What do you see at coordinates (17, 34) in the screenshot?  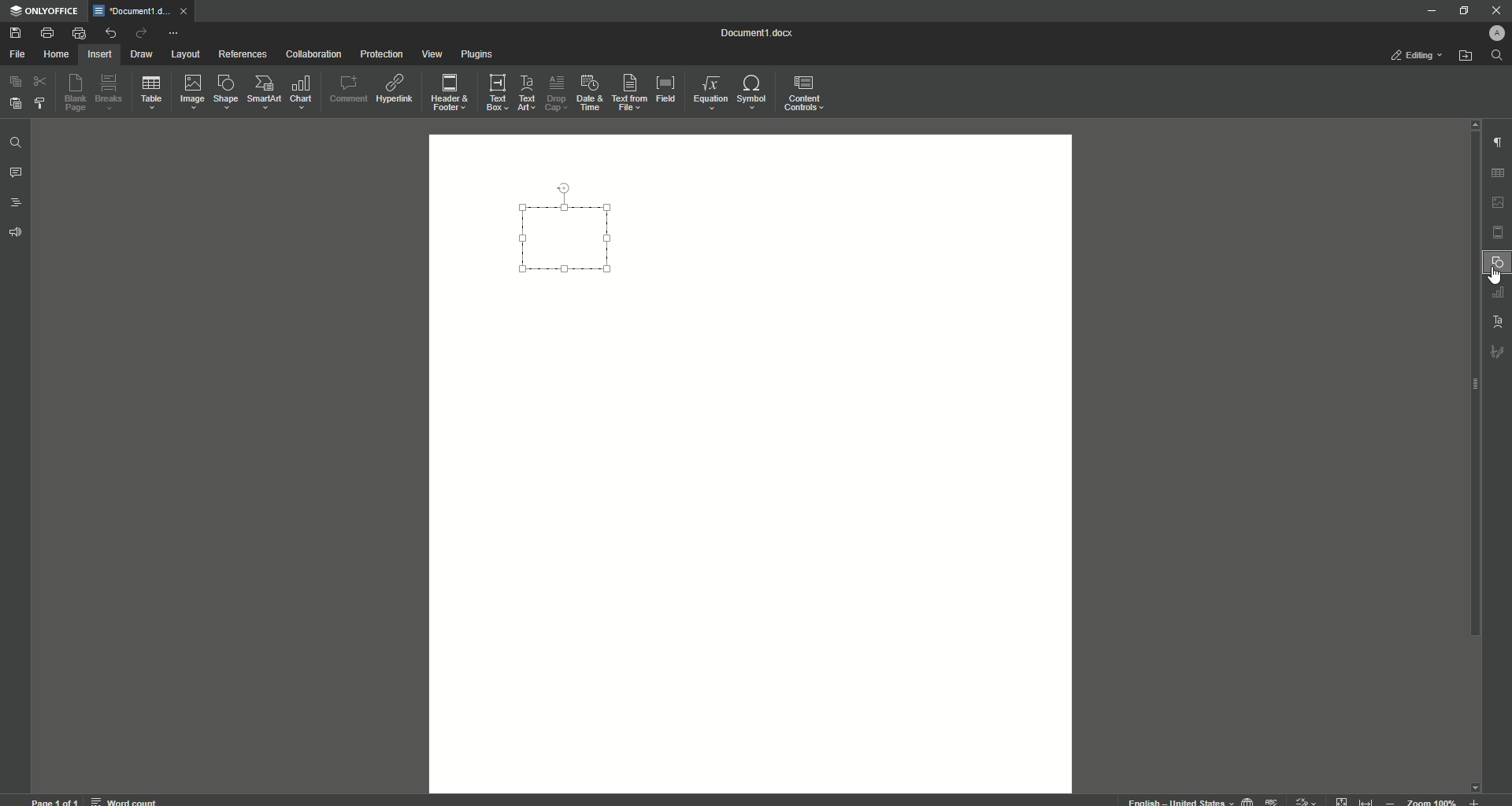 I see `Save` at bounding box center [17, 34].